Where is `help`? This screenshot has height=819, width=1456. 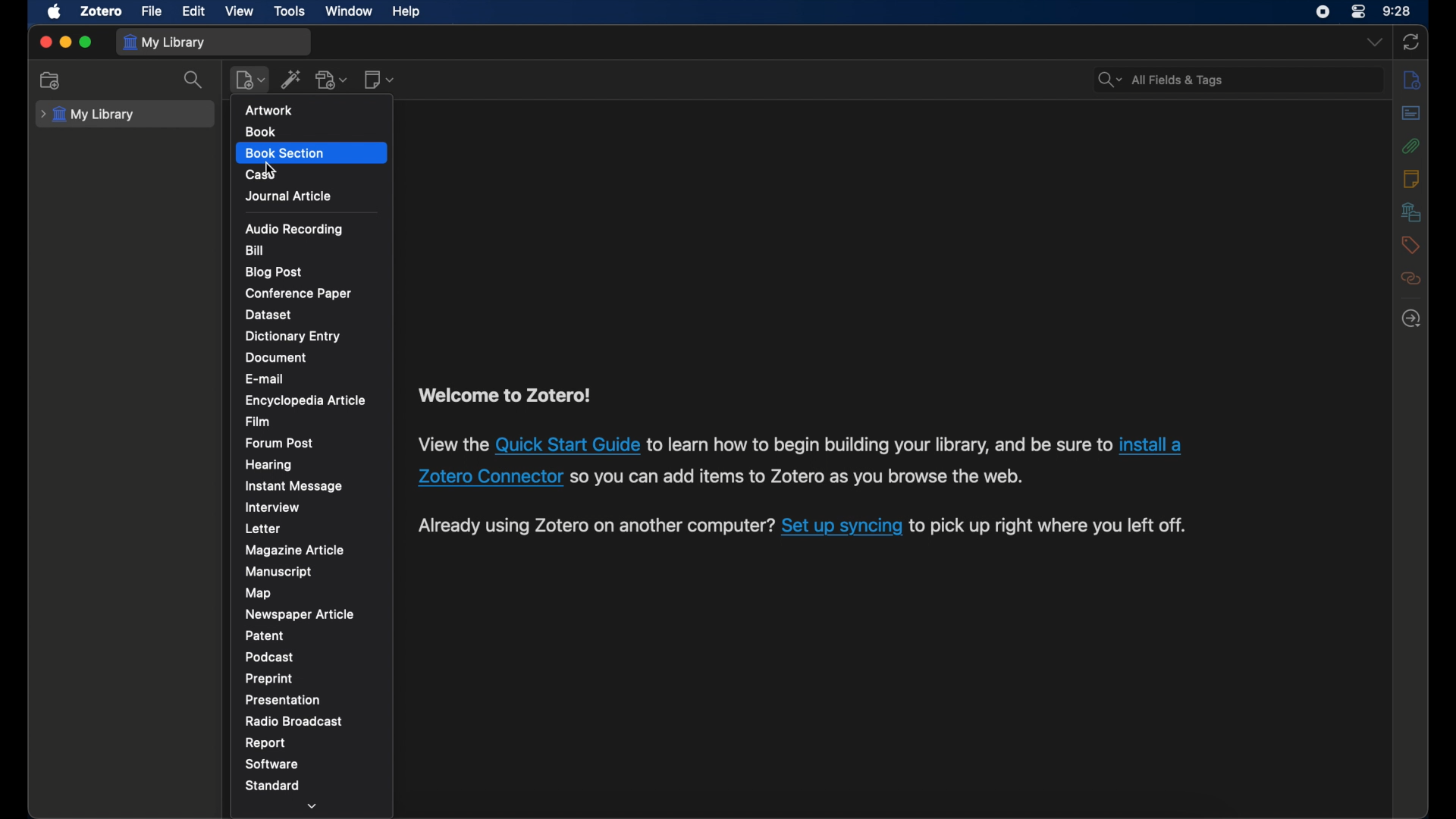 help is located at coordinates (406, 11).